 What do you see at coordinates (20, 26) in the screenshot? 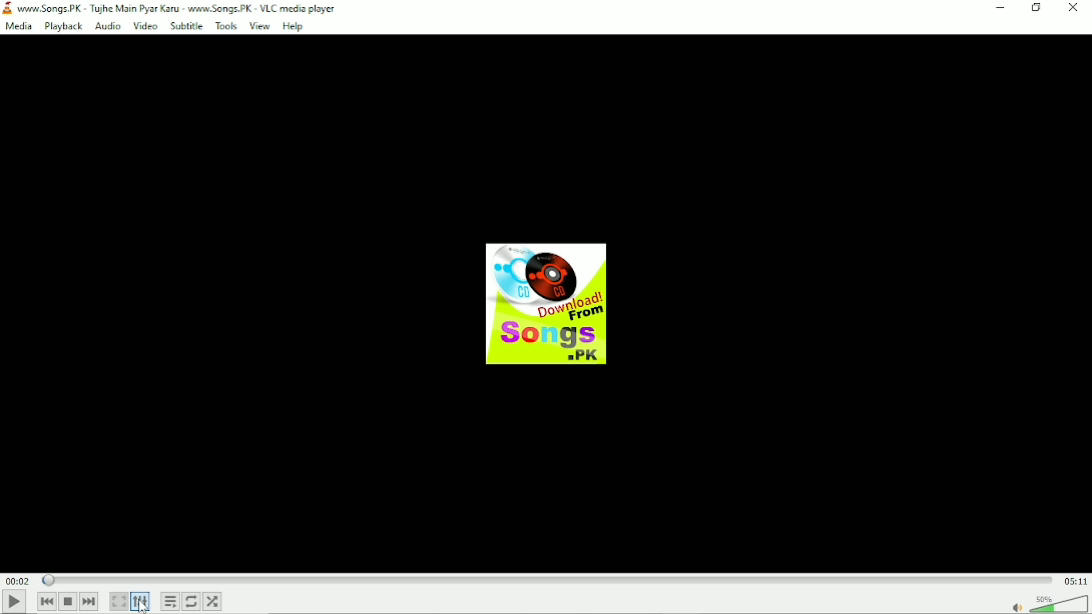
I see `Media` at bounding box center [20, 26].